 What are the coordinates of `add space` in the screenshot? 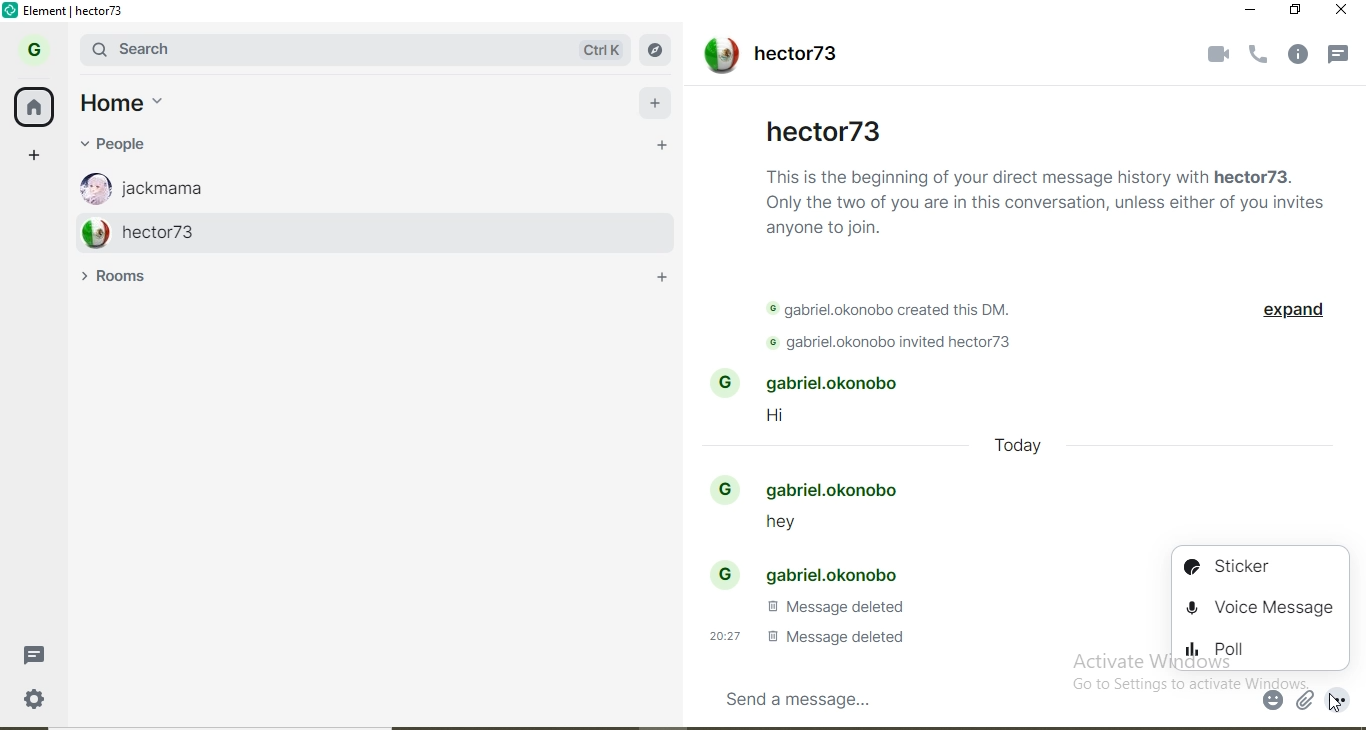 It's located at (35, 153).